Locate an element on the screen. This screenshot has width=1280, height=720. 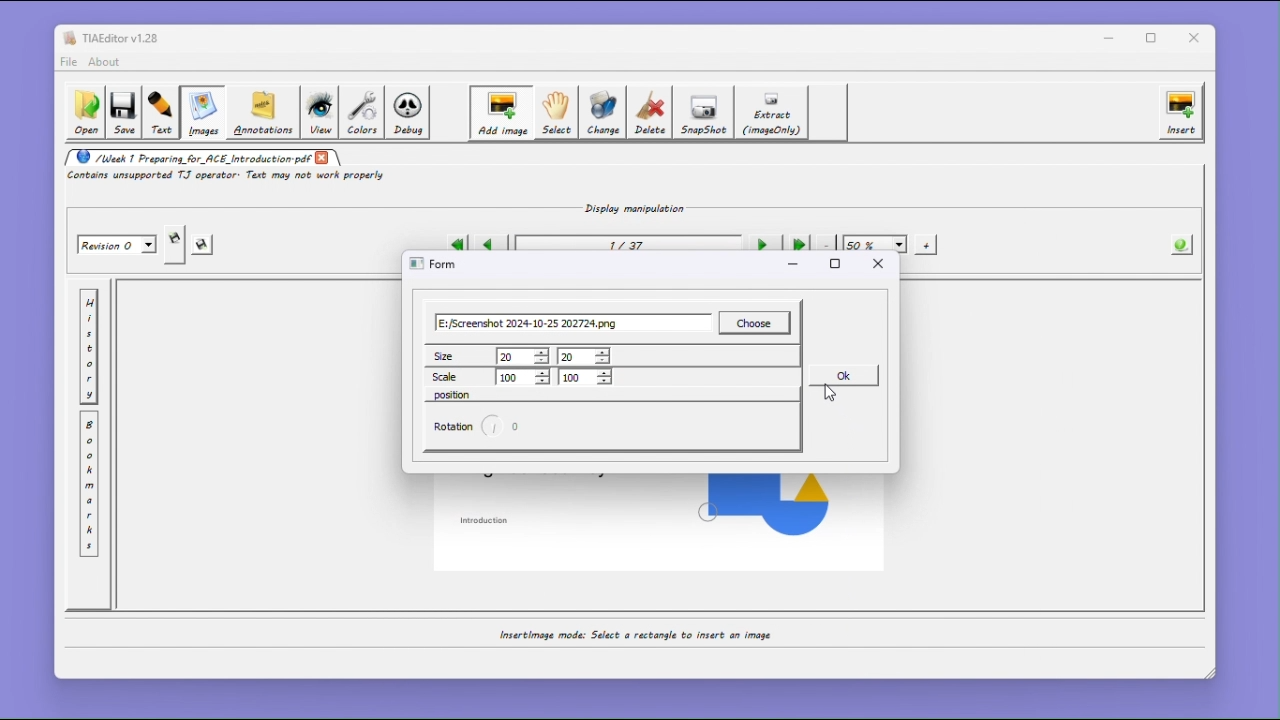
The information About the PDF opened is located at coordinates (1183, 243).